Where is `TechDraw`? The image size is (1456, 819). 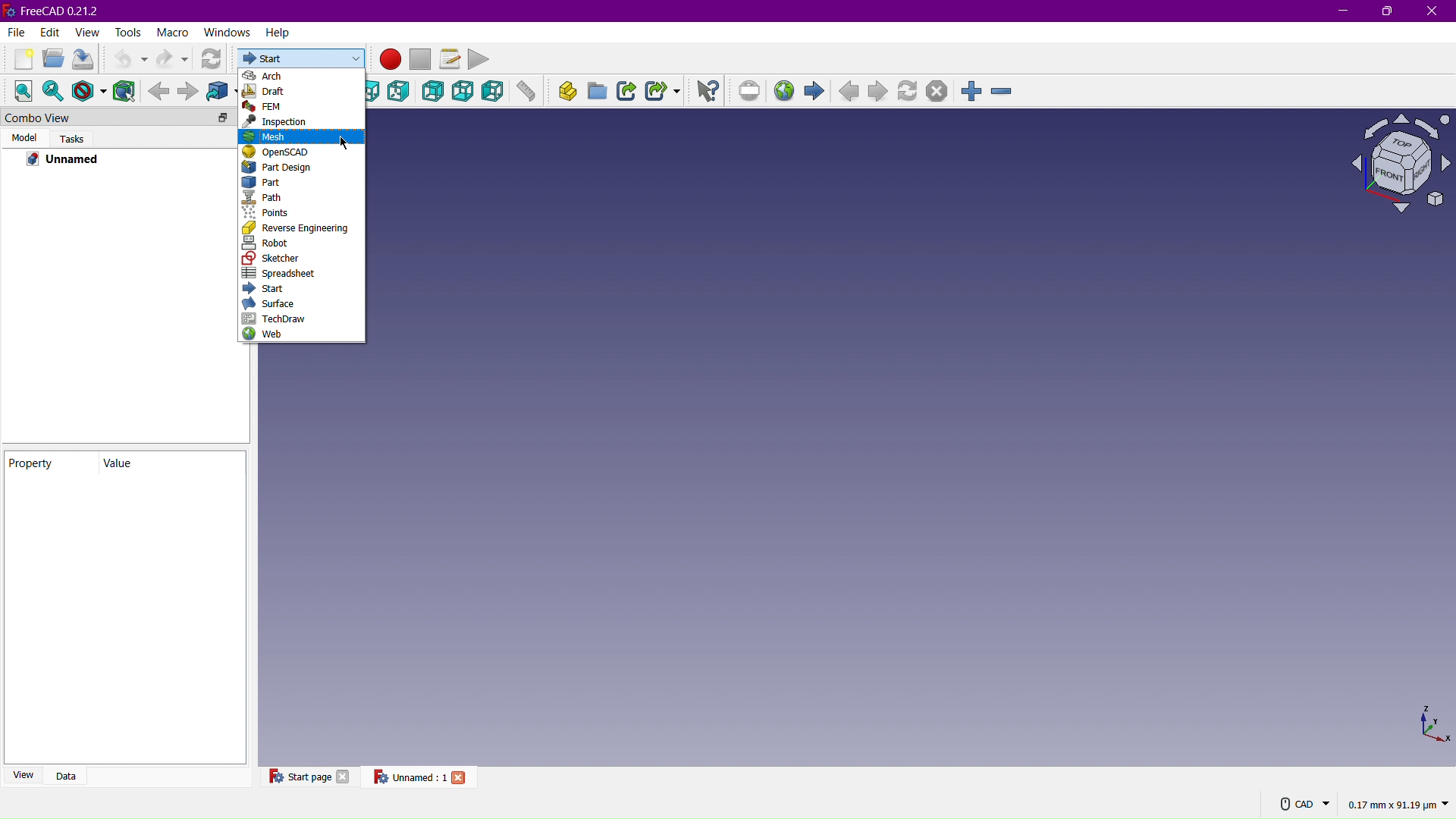 TechDraw is located at coordinates (279, 318).